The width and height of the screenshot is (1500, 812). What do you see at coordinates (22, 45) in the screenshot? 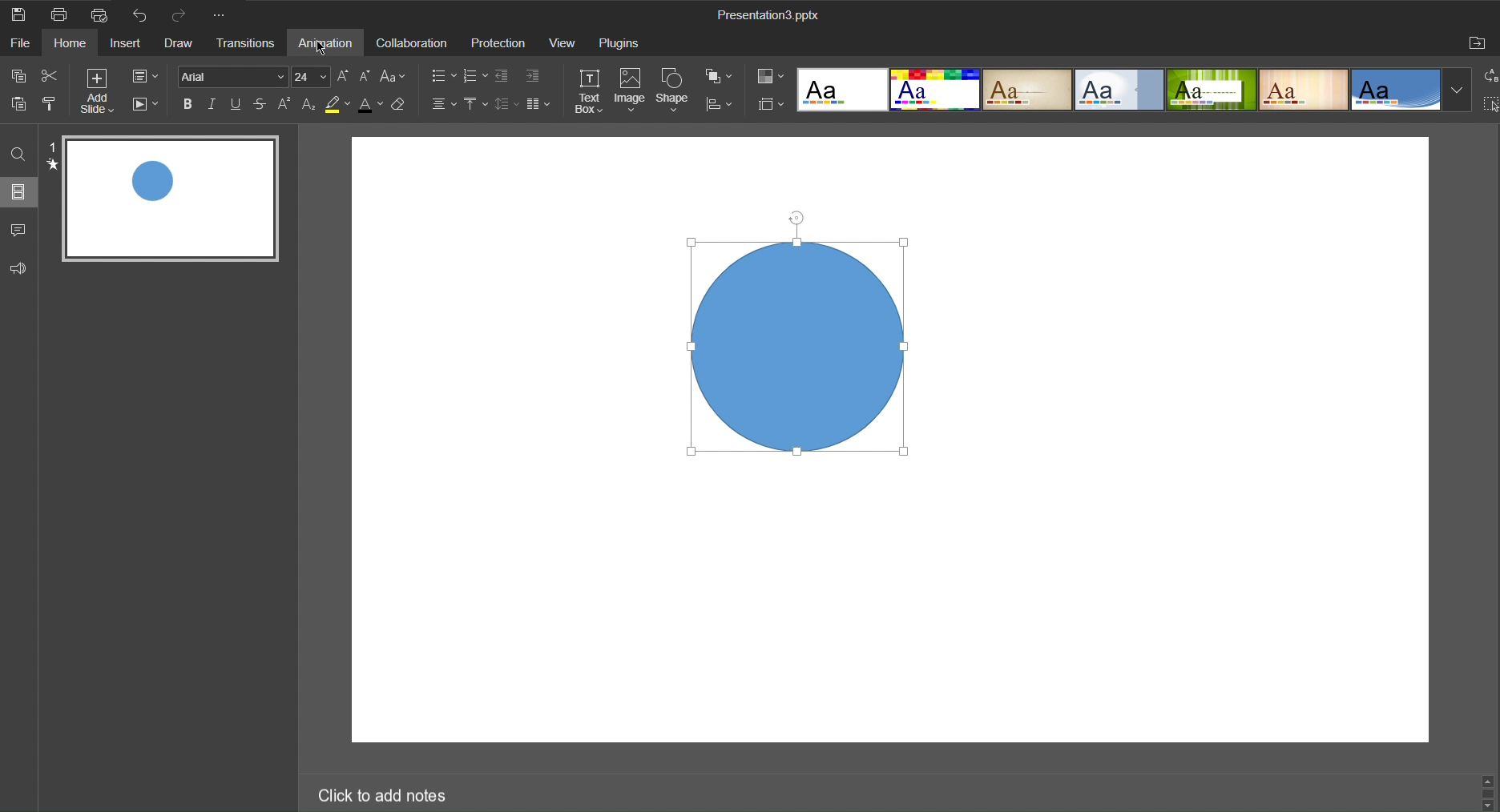
I see `File` at bounding box center [22, 45].